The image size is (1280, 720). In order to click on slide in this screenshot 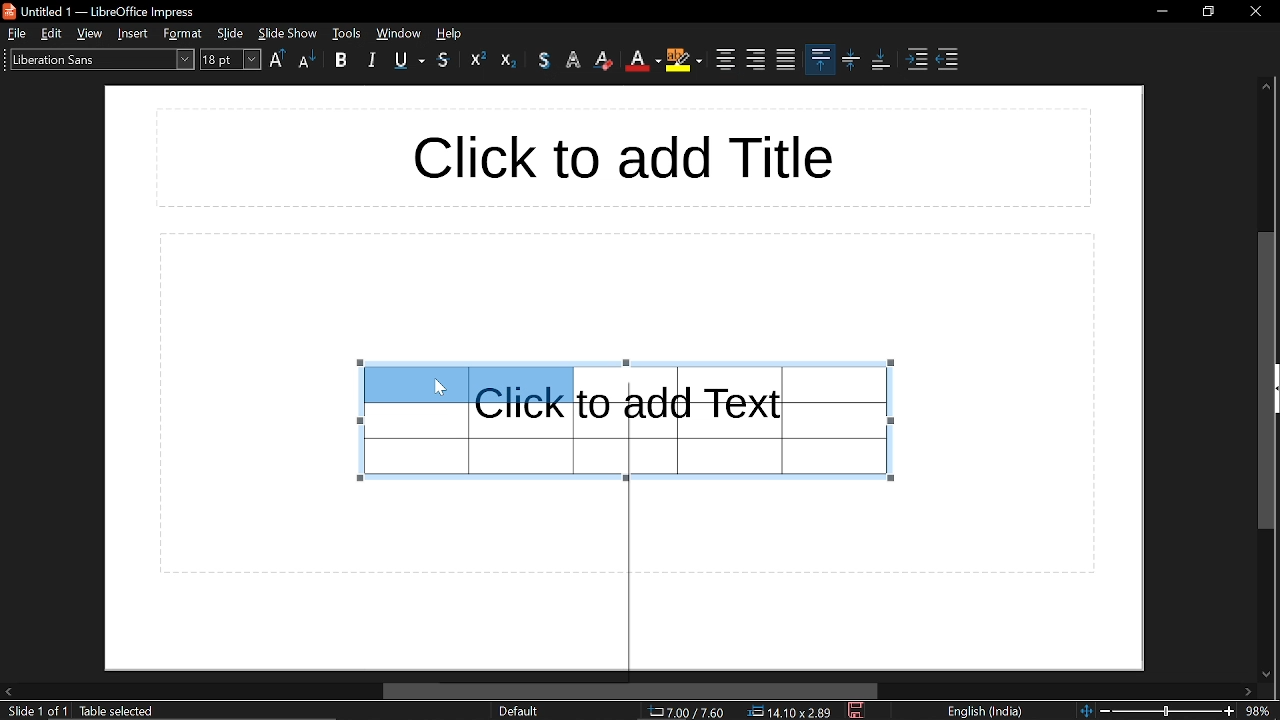, I will do `click(231, 33)`.